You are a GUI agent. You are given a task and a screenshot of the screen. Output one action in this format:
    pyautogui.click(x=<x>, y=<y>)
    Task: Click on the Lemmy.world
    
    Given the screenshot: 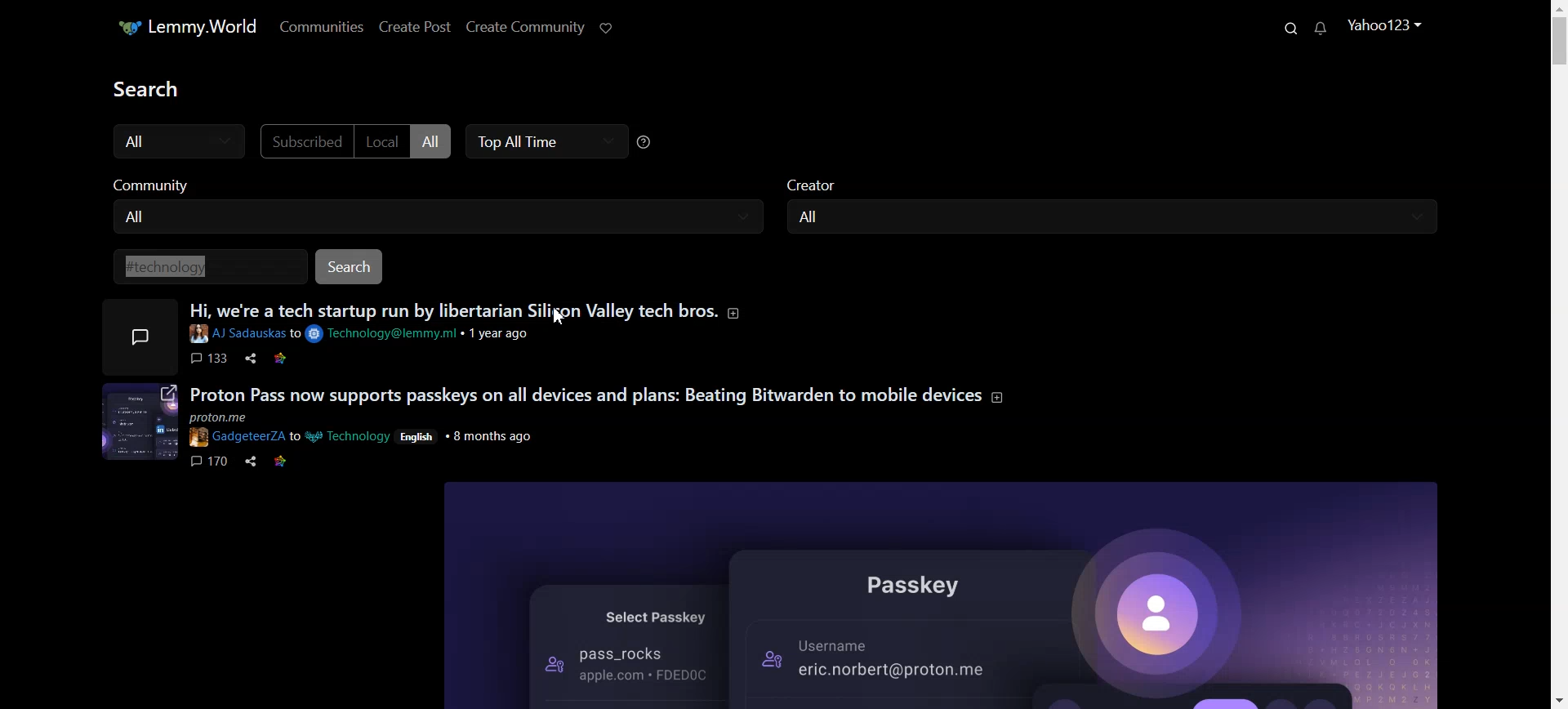 What is the action you would take?
    pyautogui.click(x=185, y=26)
    